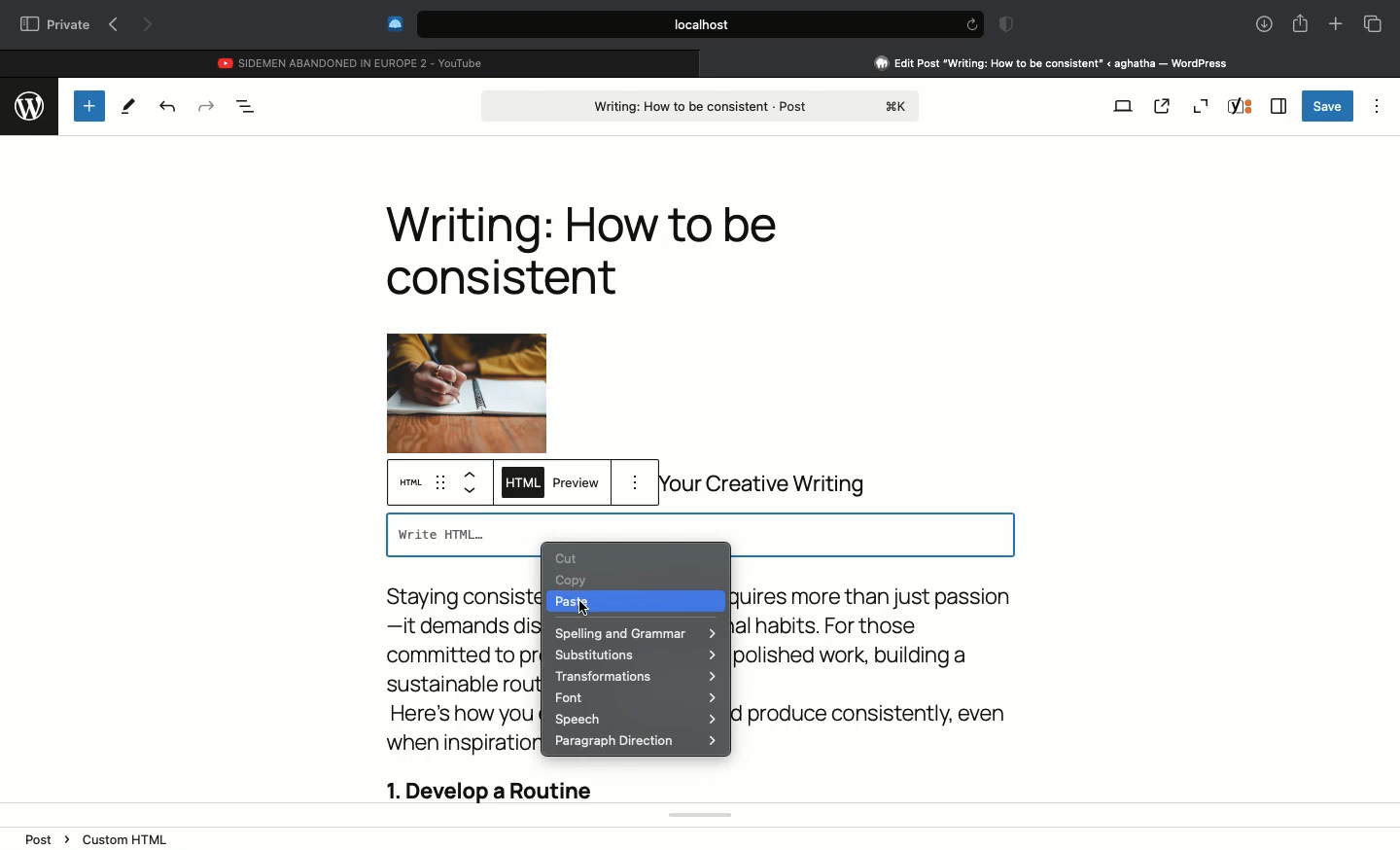  Describe the element at coordinates (1328, 106) in the screenshot. I see `Save` at that location.